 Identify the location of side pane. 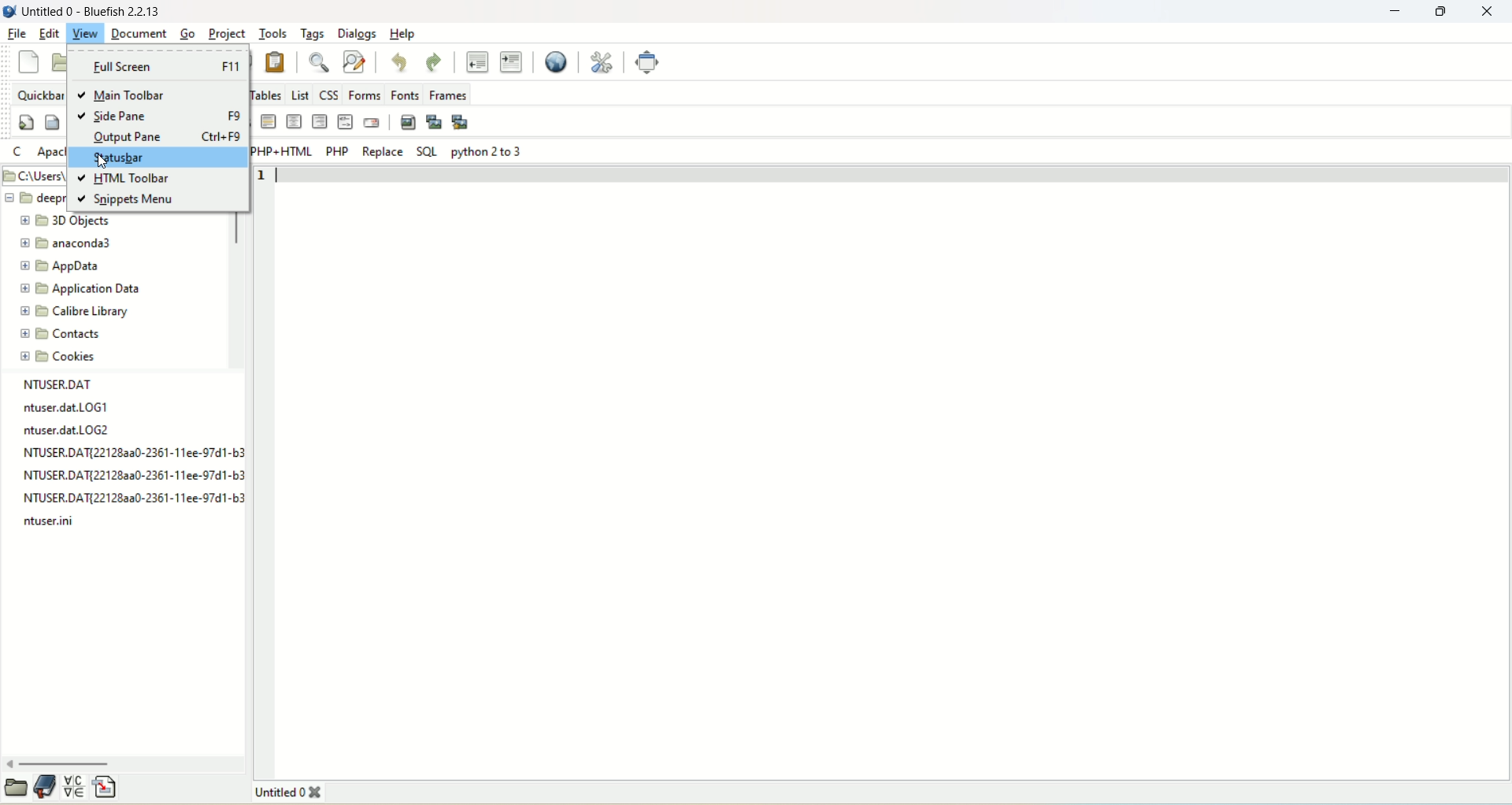
(157, 116).